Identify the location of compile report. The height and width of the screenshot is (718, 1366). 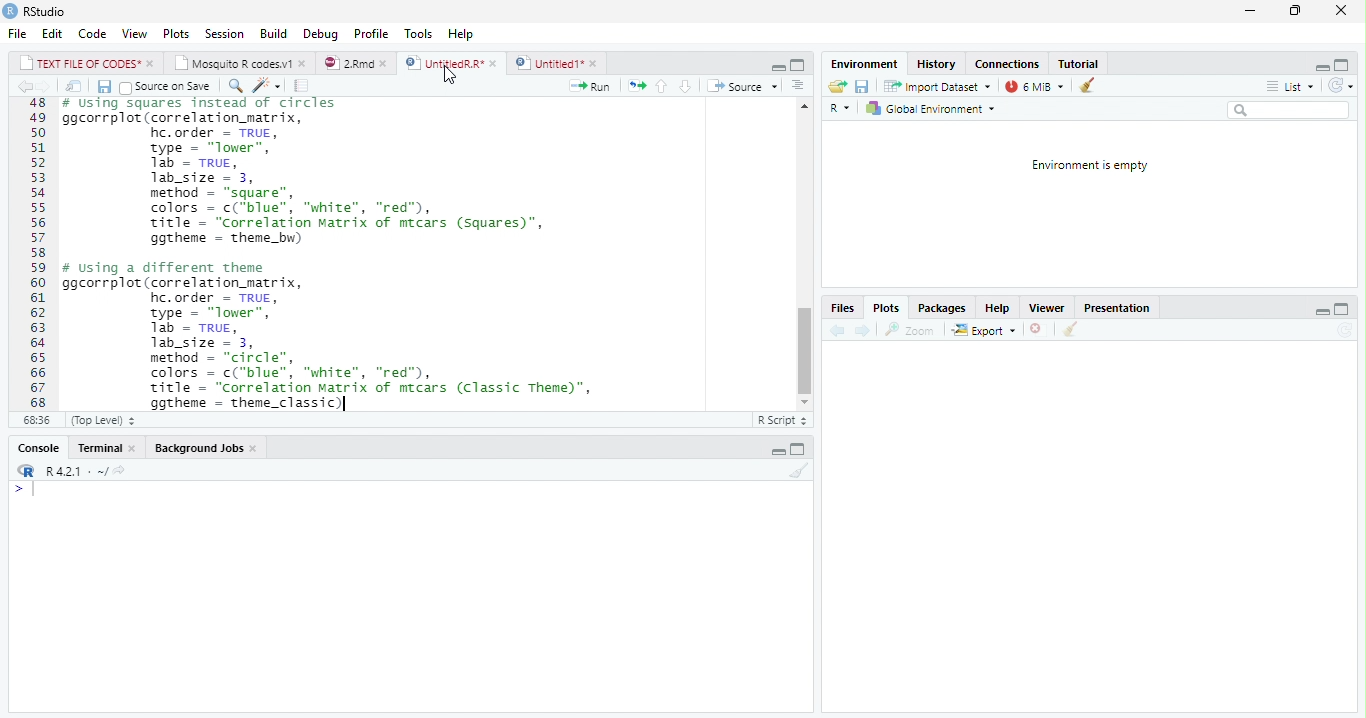
(304, 88).